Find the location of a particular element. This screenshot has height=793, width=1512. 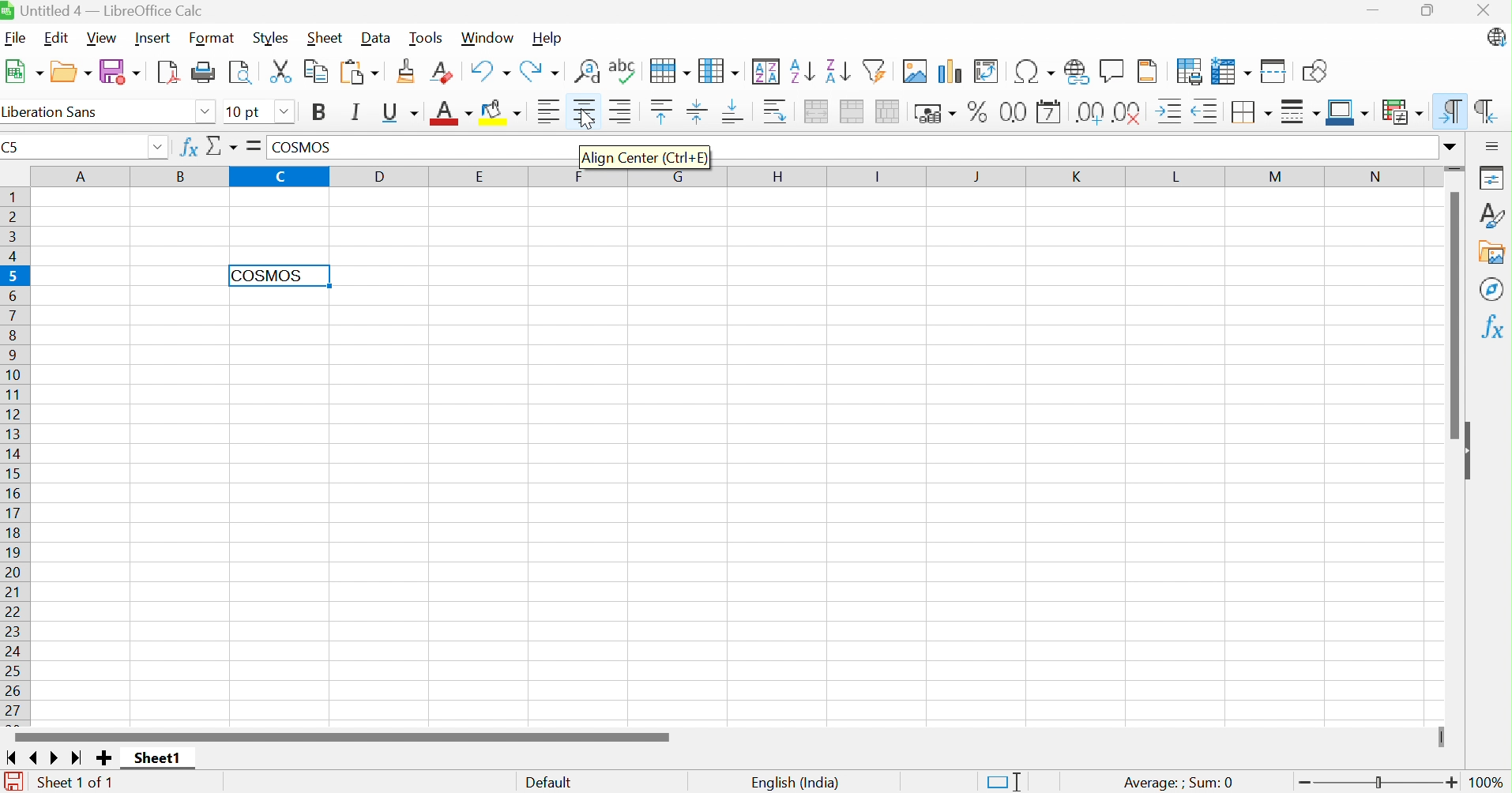

cursor is located at coordinates (589, 120).